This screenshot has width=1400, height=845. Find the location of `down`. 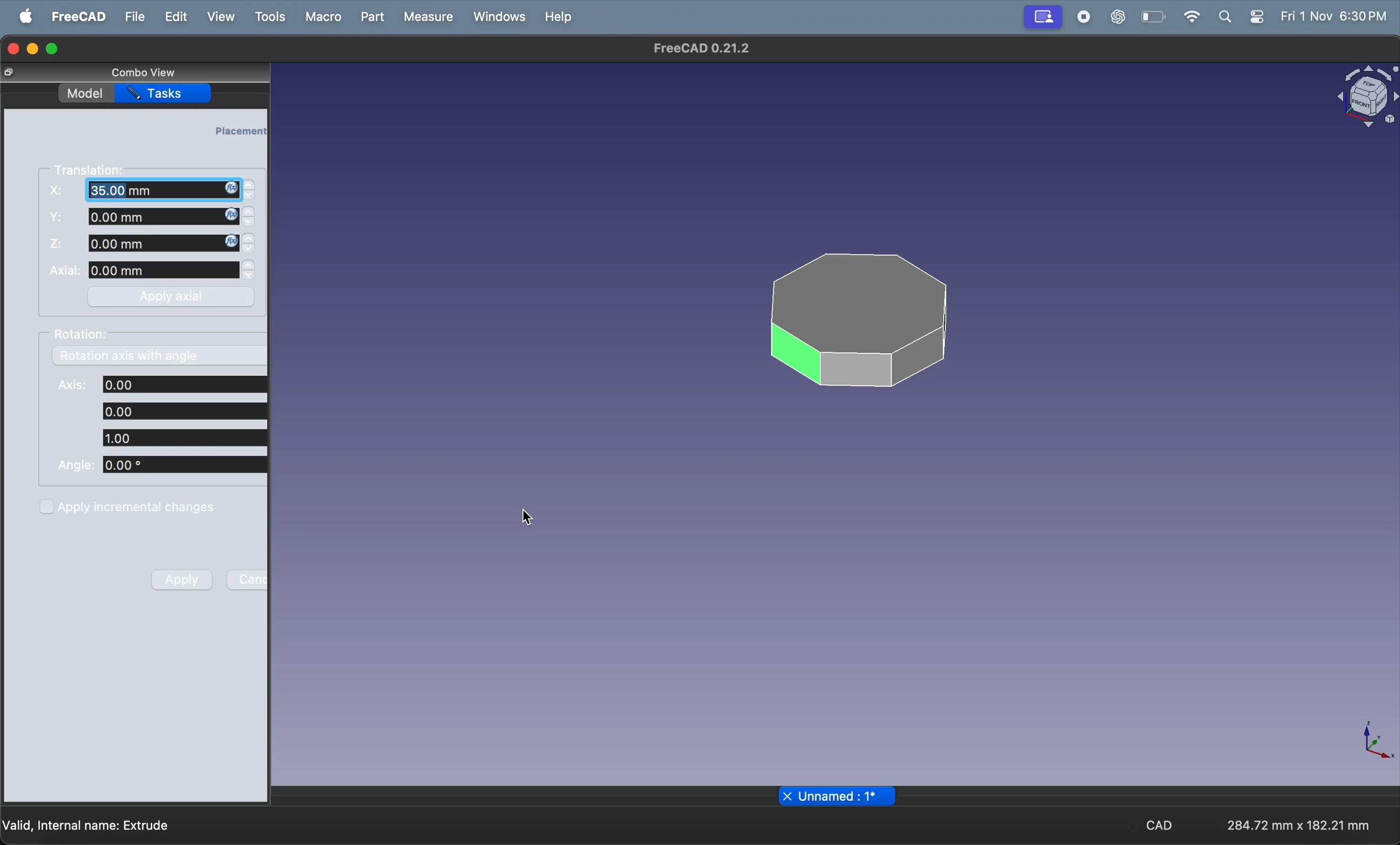

down is located at coordinates (250, 277).